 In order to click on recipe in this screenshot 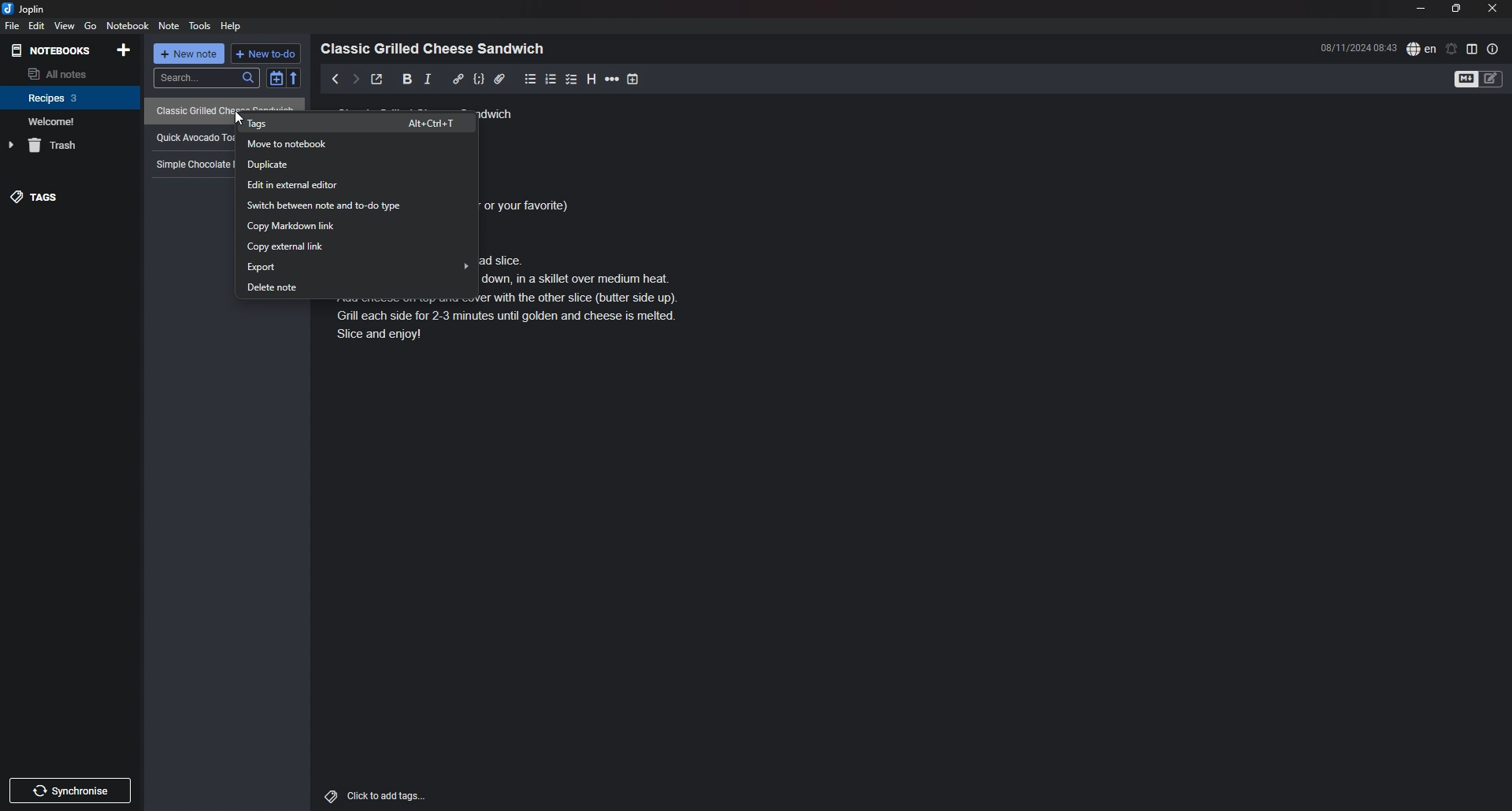, I will do `click(220, 109)`.